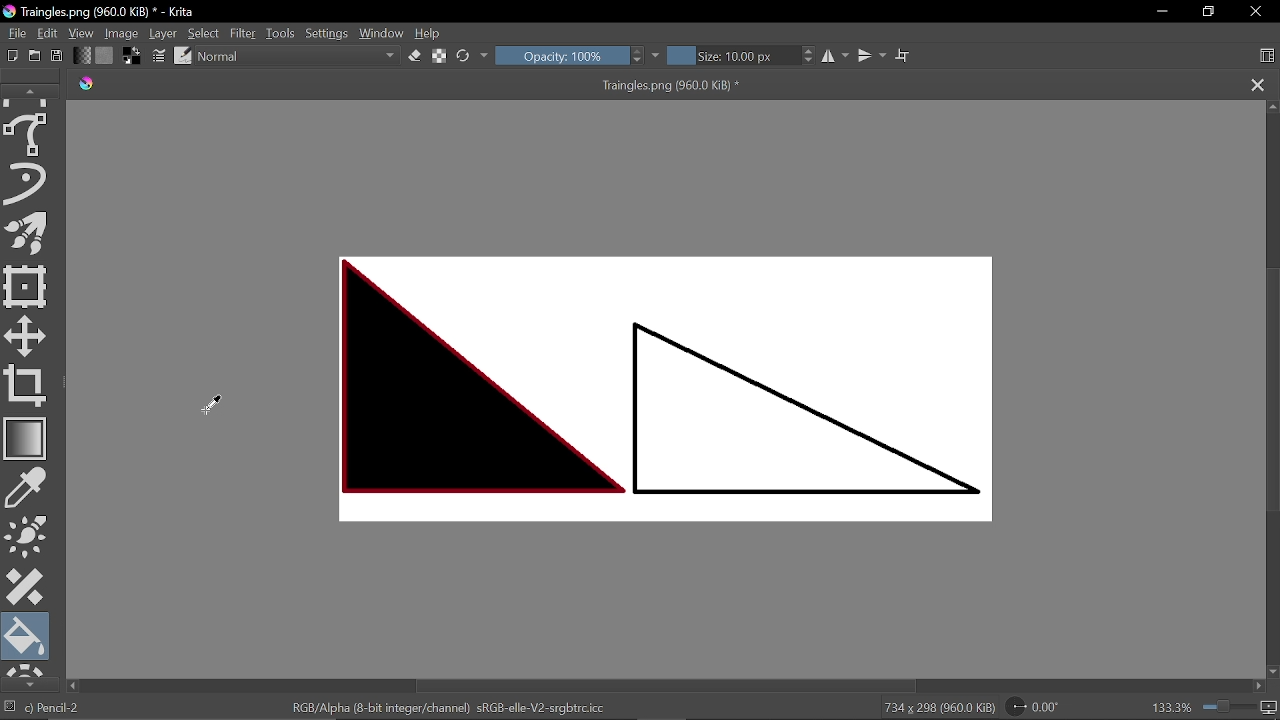 The width and height of the screenshot is (1280, 720). What do you see at coordinates (434, 35) in the screenshot?
I see `Help` at bounding box center [434, 35].